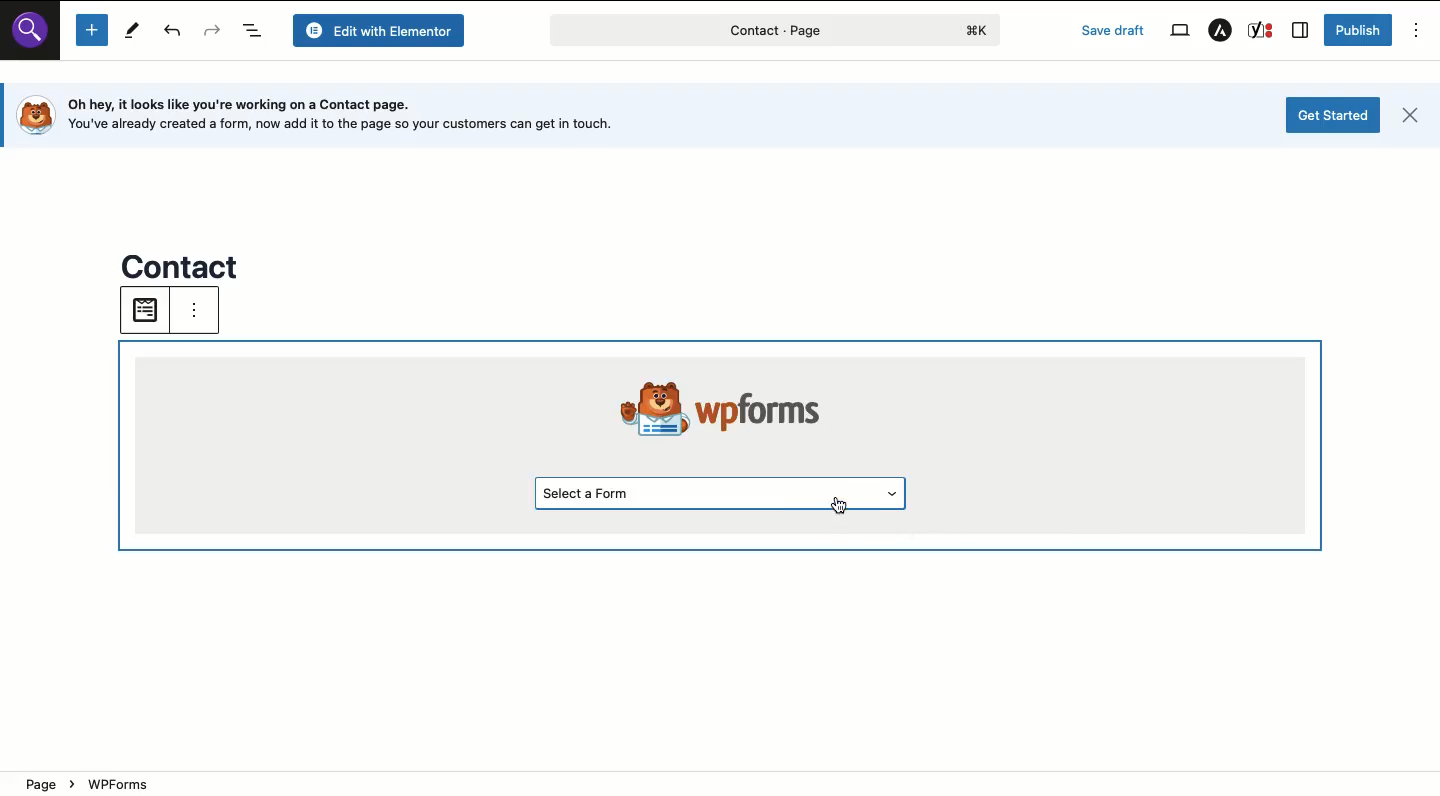  Describe the element at coordinates (1357, 30) in the screenshot. I see `Publish` at that location.